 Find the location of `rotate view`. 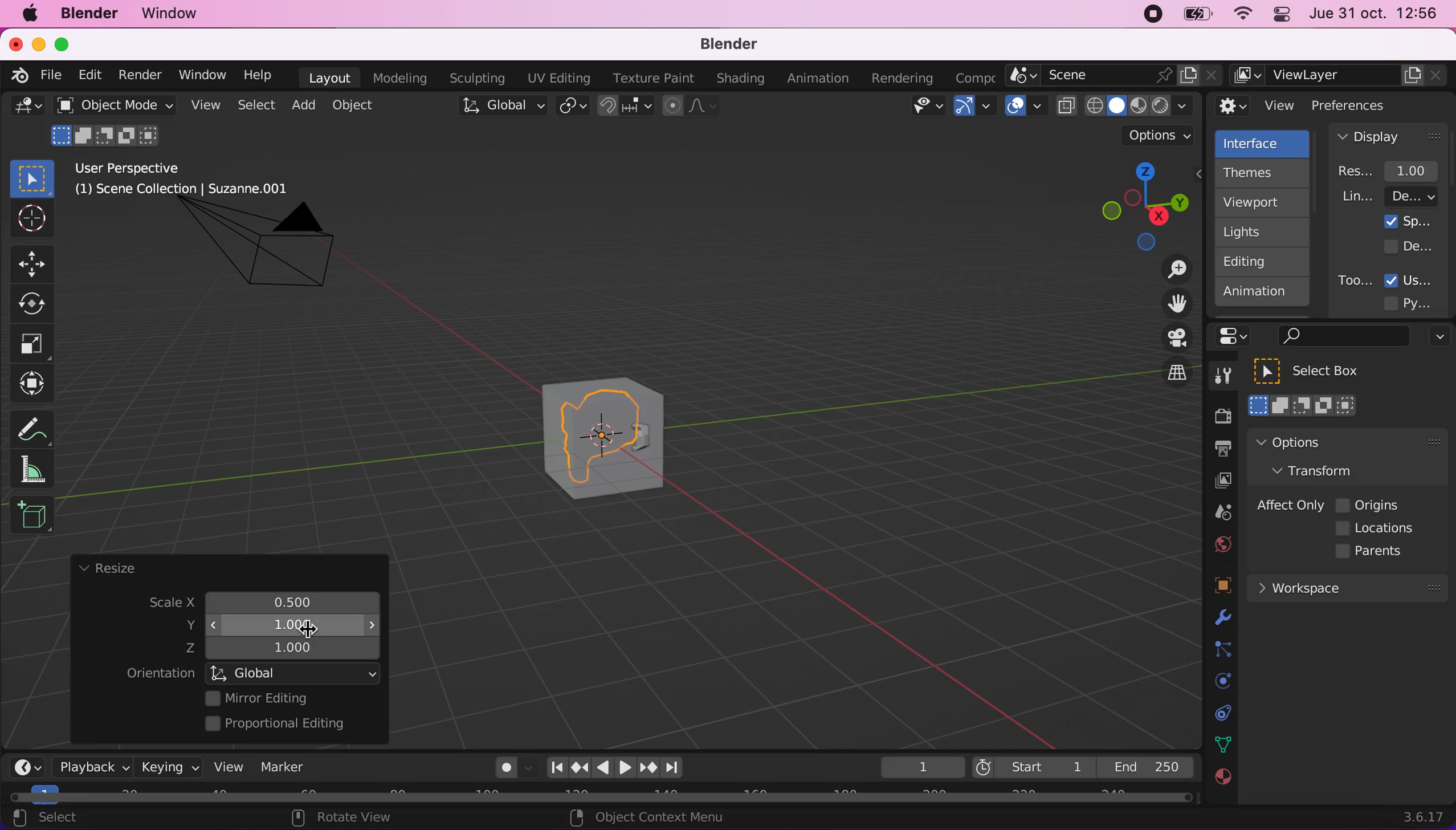

rotate view is located at coordinates (353, 819).